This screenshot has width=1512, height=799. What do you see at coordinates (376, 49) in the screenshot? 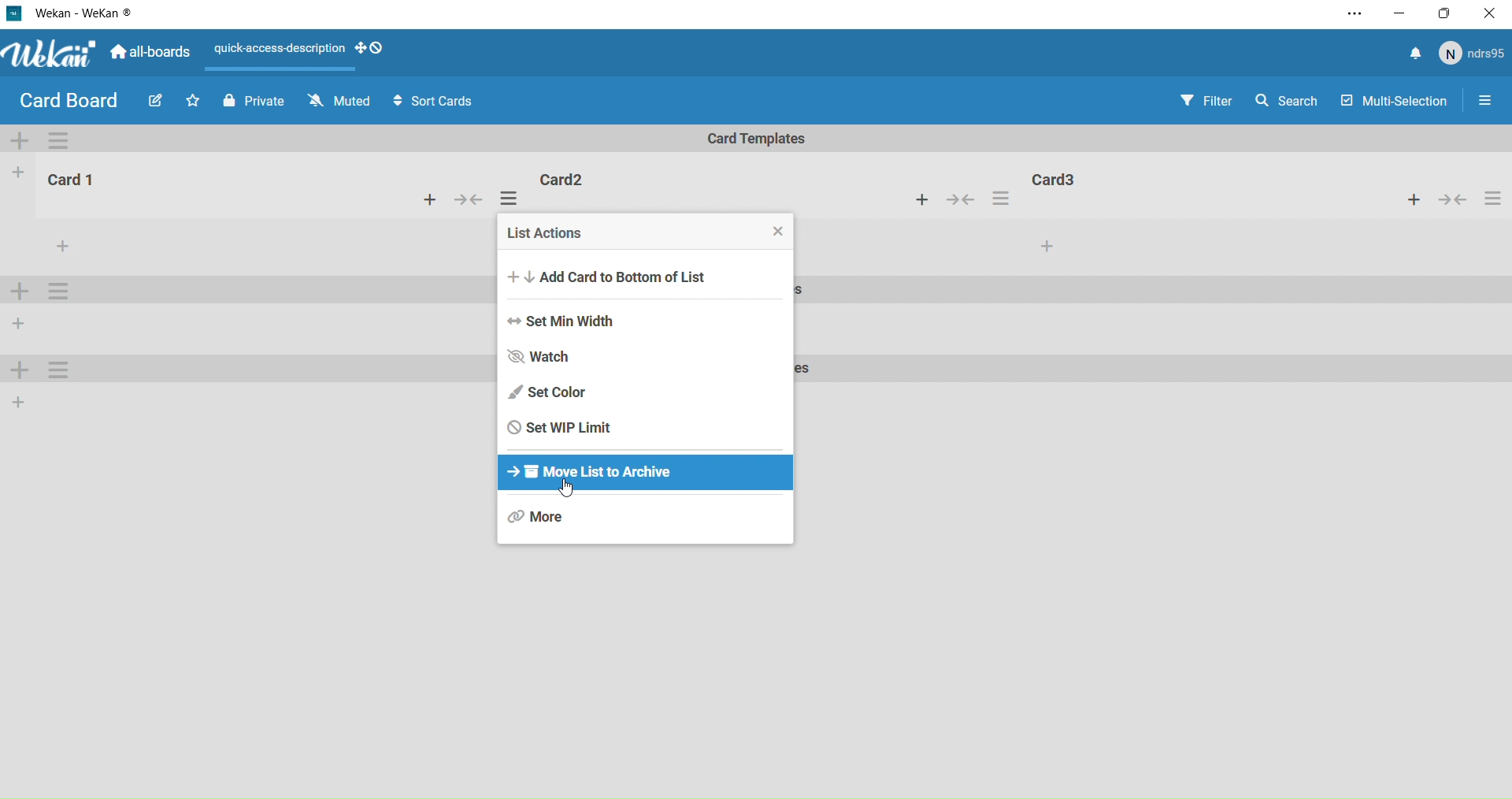
I see `desktop drag handles` at bounding box center [376, 49].